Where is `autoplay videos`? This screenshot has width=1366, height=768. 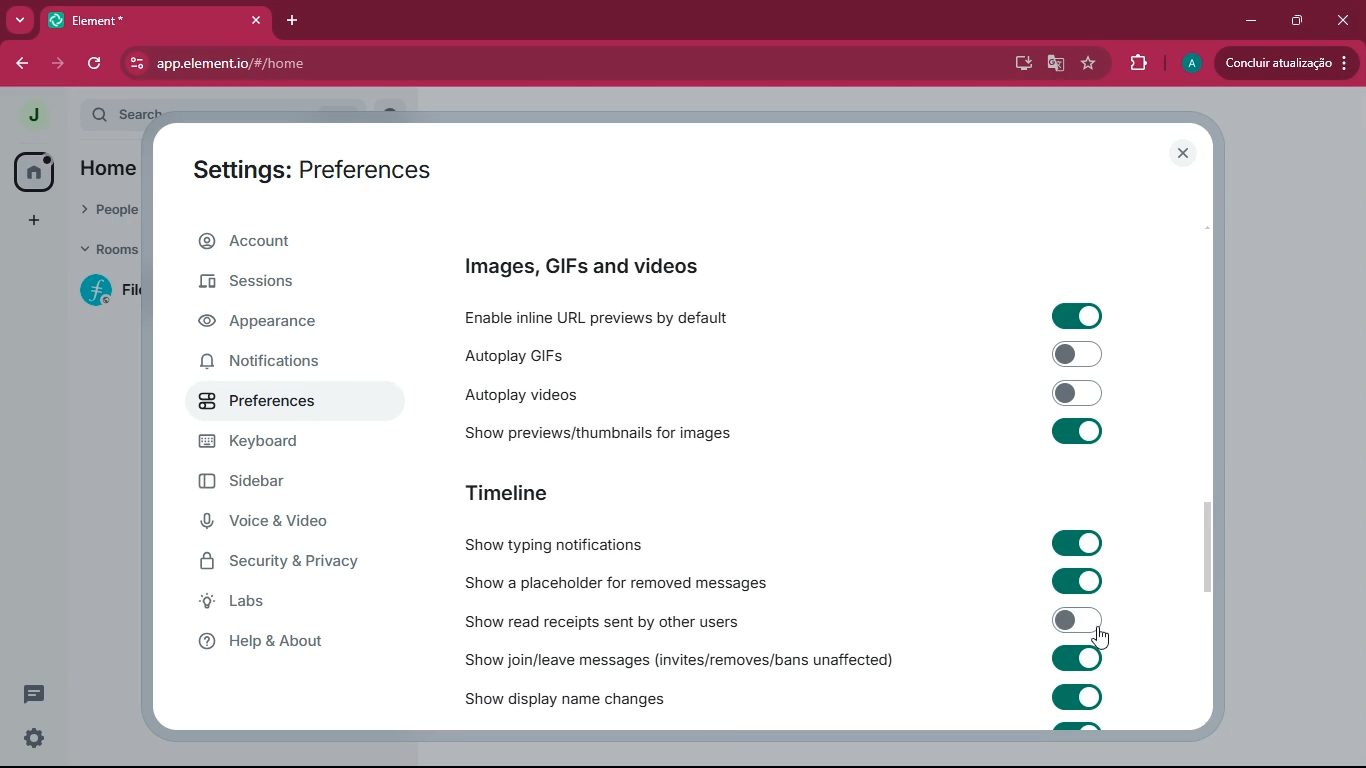
autoplay videos is located at coordinates (629, 392).